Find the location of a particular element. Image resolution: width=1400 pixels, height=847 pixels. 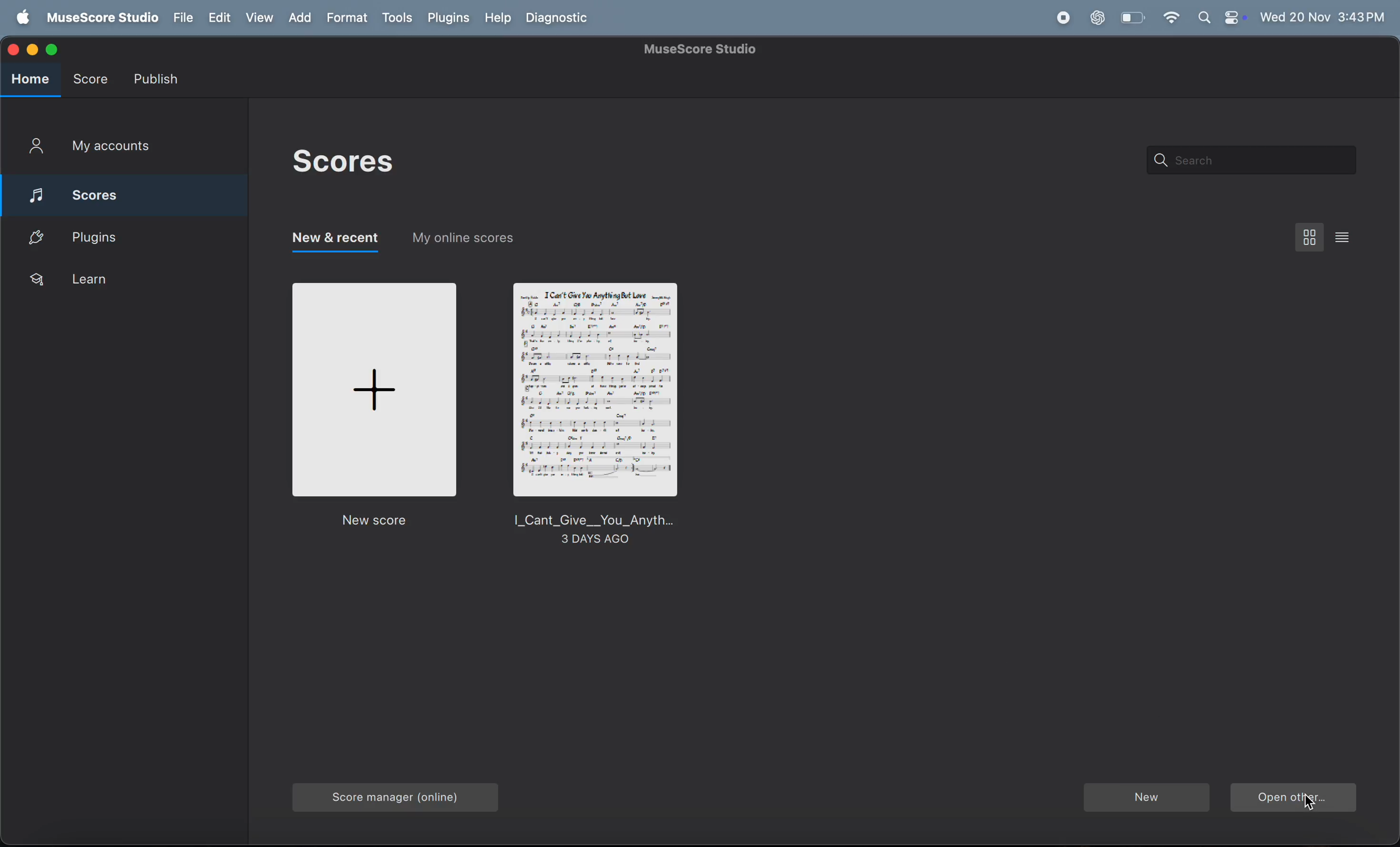

record is located at coordinates (1064, 18).